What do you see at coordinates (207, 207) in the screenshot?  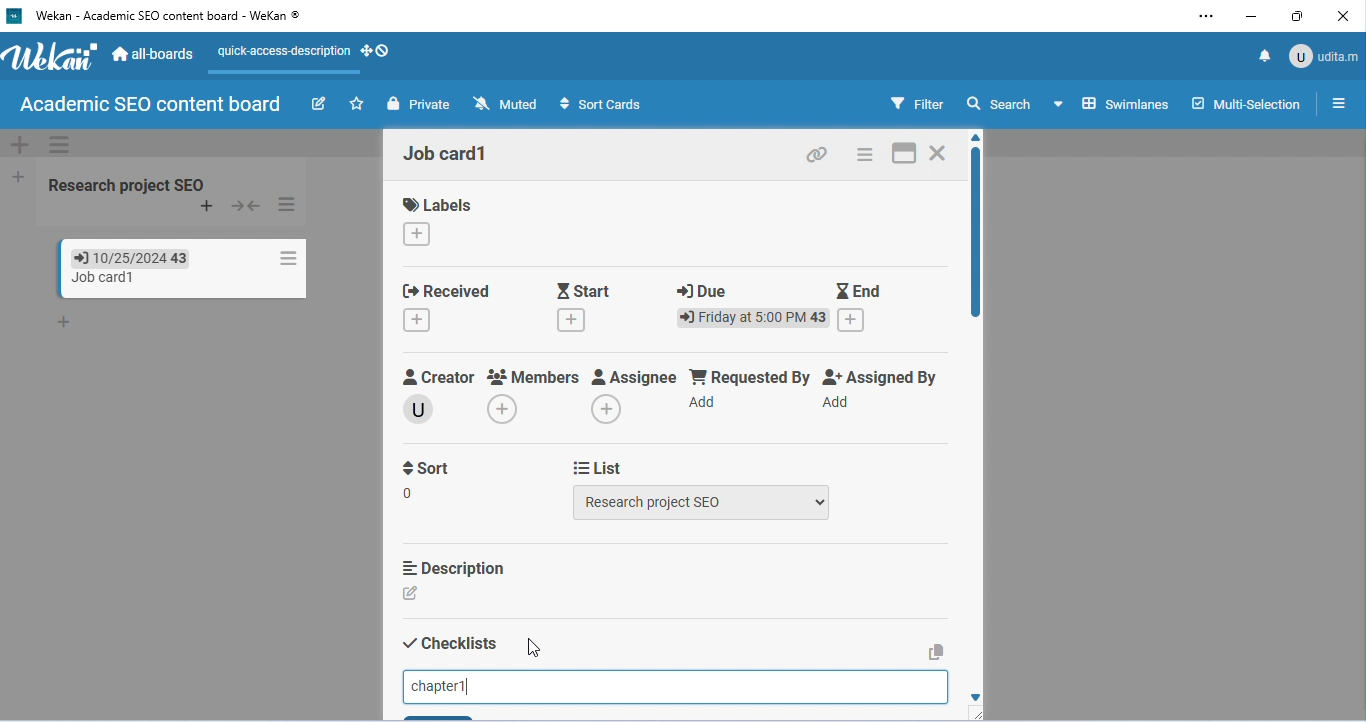 I see `add card to top of list` at bounding box center [207, 207].